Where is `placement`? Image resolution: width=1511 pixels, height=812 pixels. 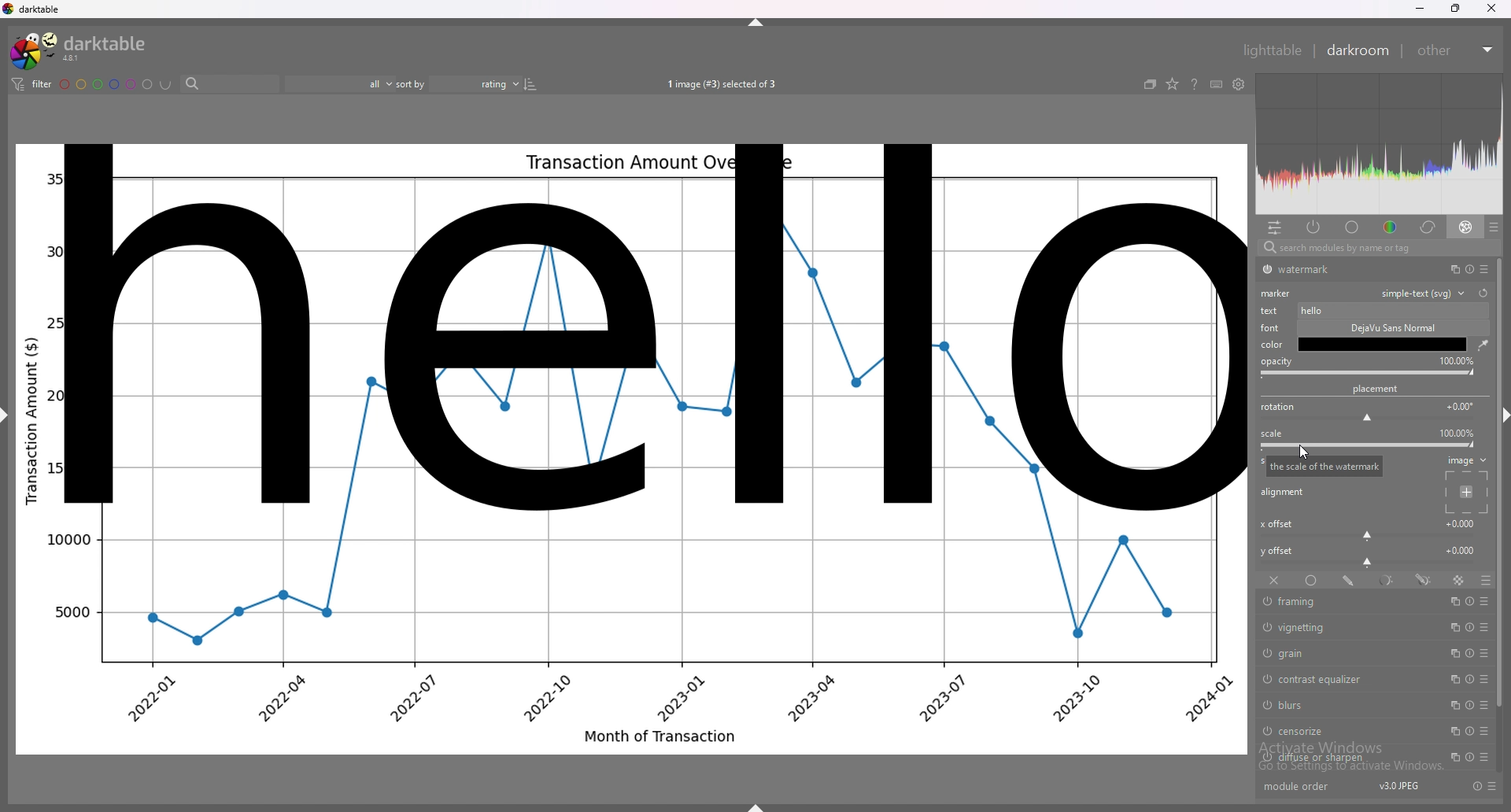
placement is located at coordinates (1469, 493).